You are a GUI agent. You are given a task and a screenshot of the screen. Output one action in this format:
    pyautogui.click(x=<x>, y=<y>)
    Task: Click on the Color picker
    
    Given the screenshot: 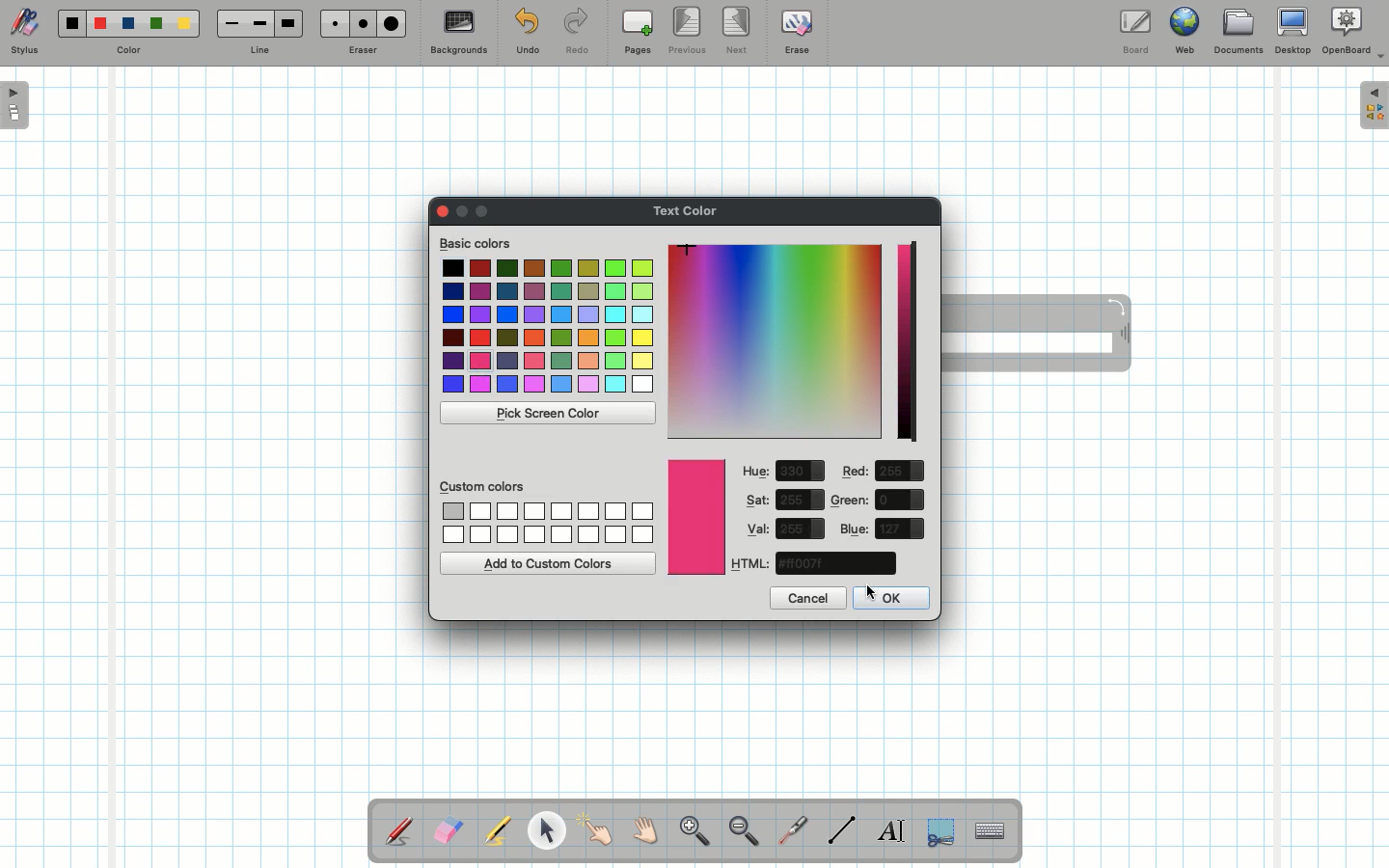 What is the action you would take?
    pyautogui.click(x=775, y=341)
    